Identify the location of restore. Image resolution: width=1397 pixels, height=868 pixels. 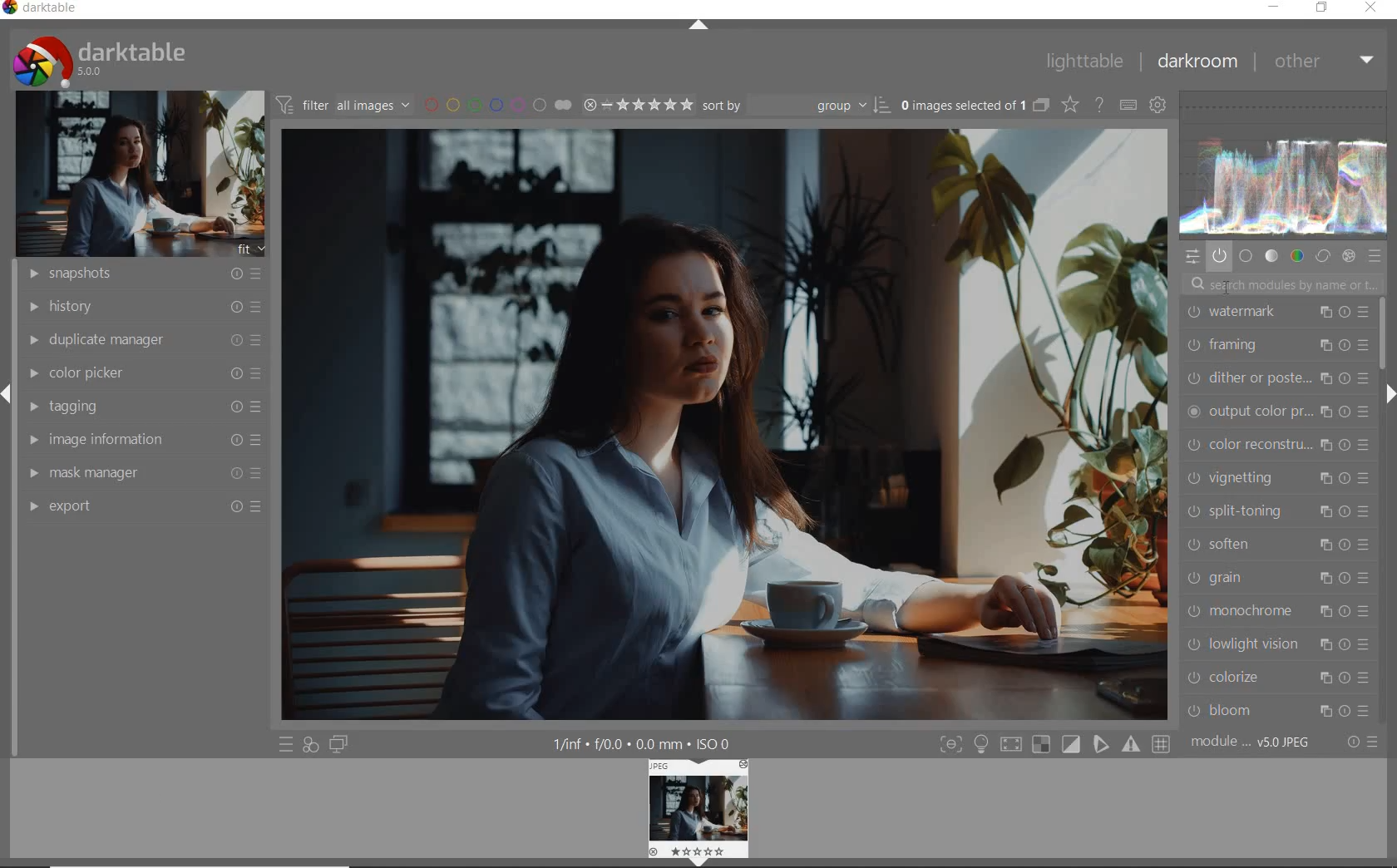
(1324, 8).